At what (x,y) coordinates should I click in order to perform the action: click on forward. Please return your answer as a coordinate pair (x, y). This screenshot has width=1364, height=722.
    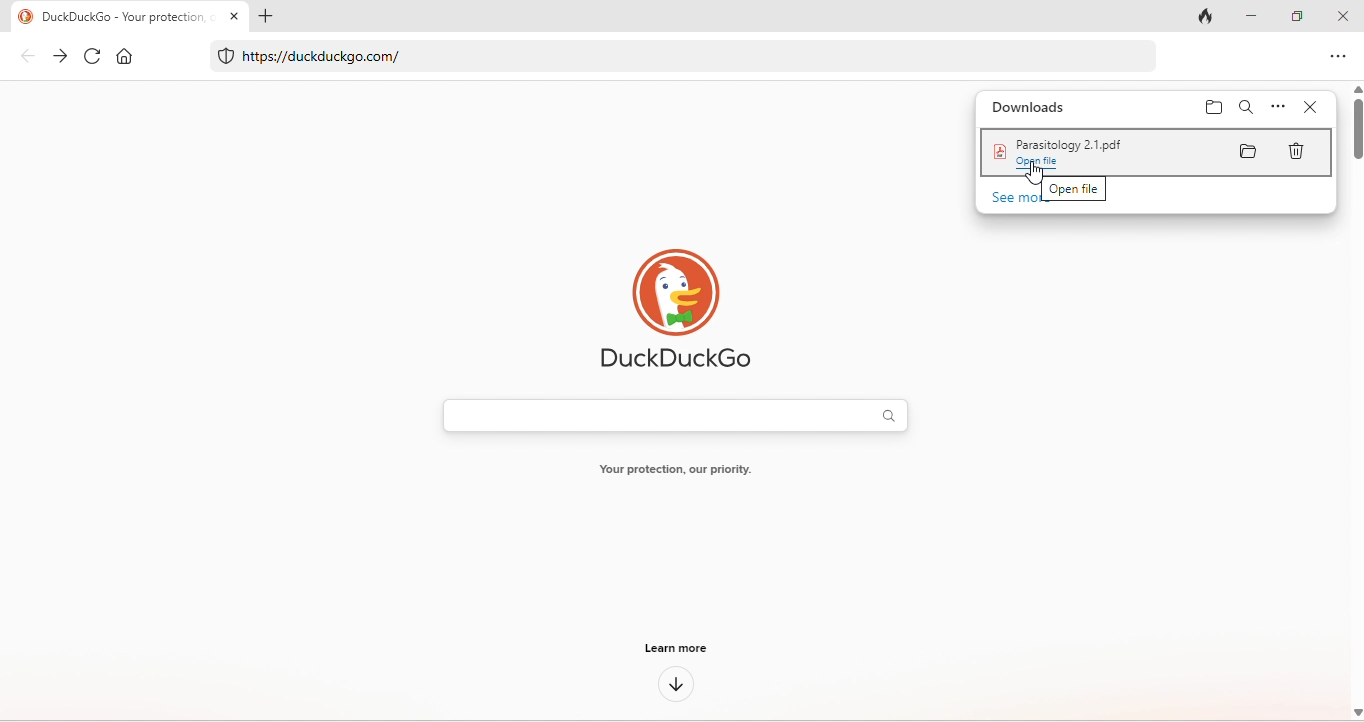
    Looking at the image, I should click on (58, 57).